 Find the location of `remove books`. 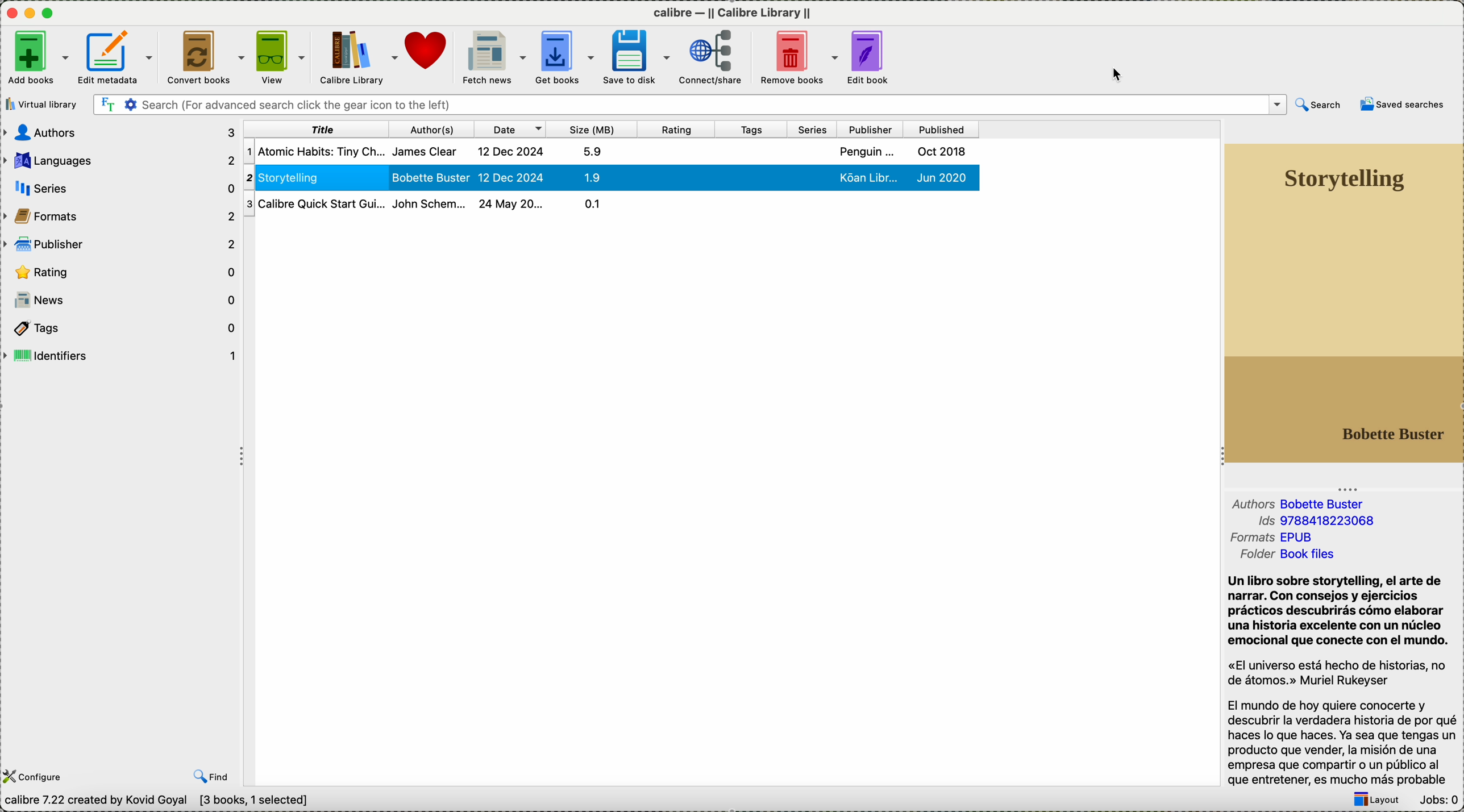

remove books is located at coordinates (800, 57).